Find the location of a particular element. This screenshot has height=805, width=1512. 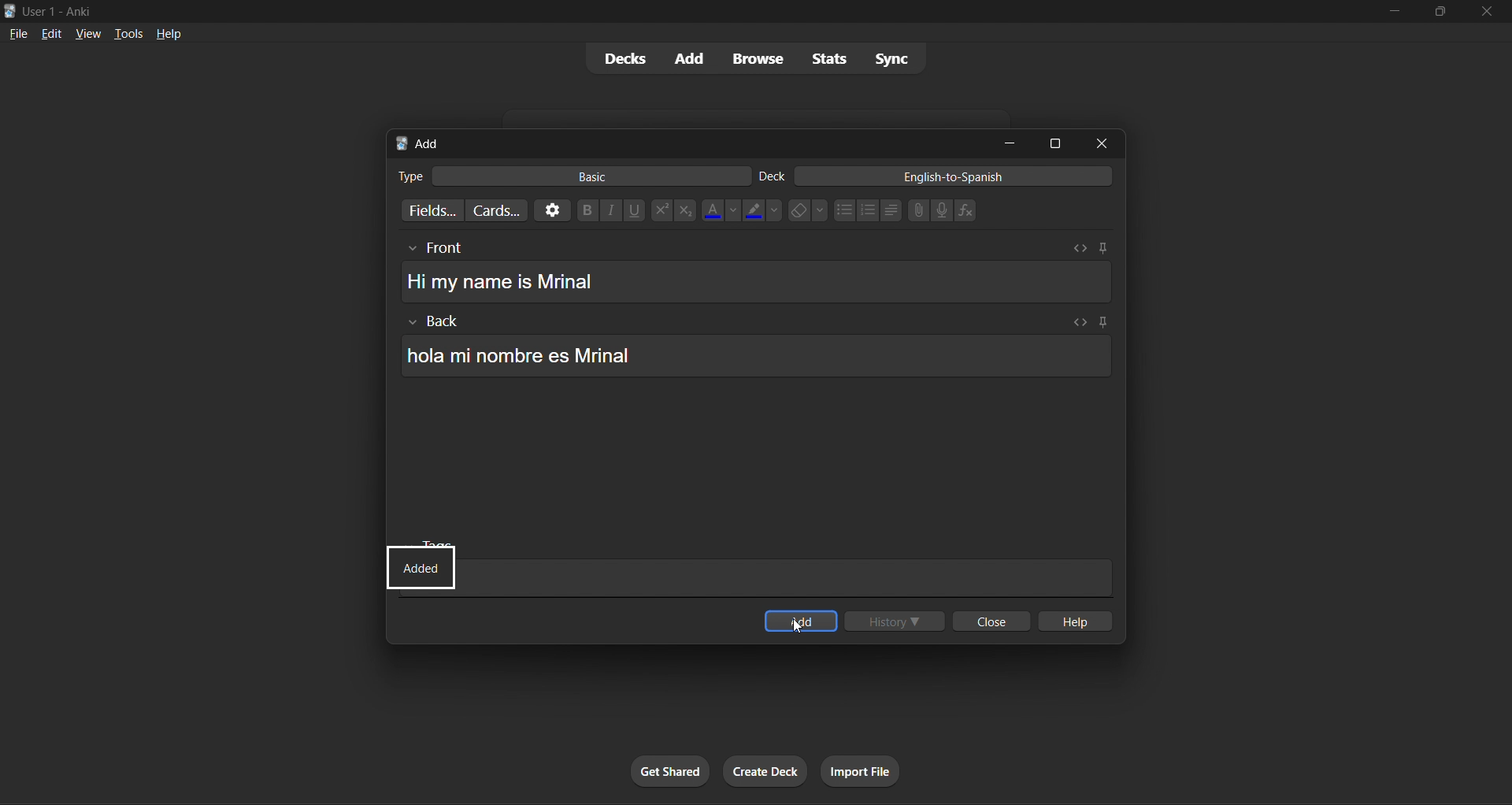

card front english text box  is located at coordinates (754, 273).